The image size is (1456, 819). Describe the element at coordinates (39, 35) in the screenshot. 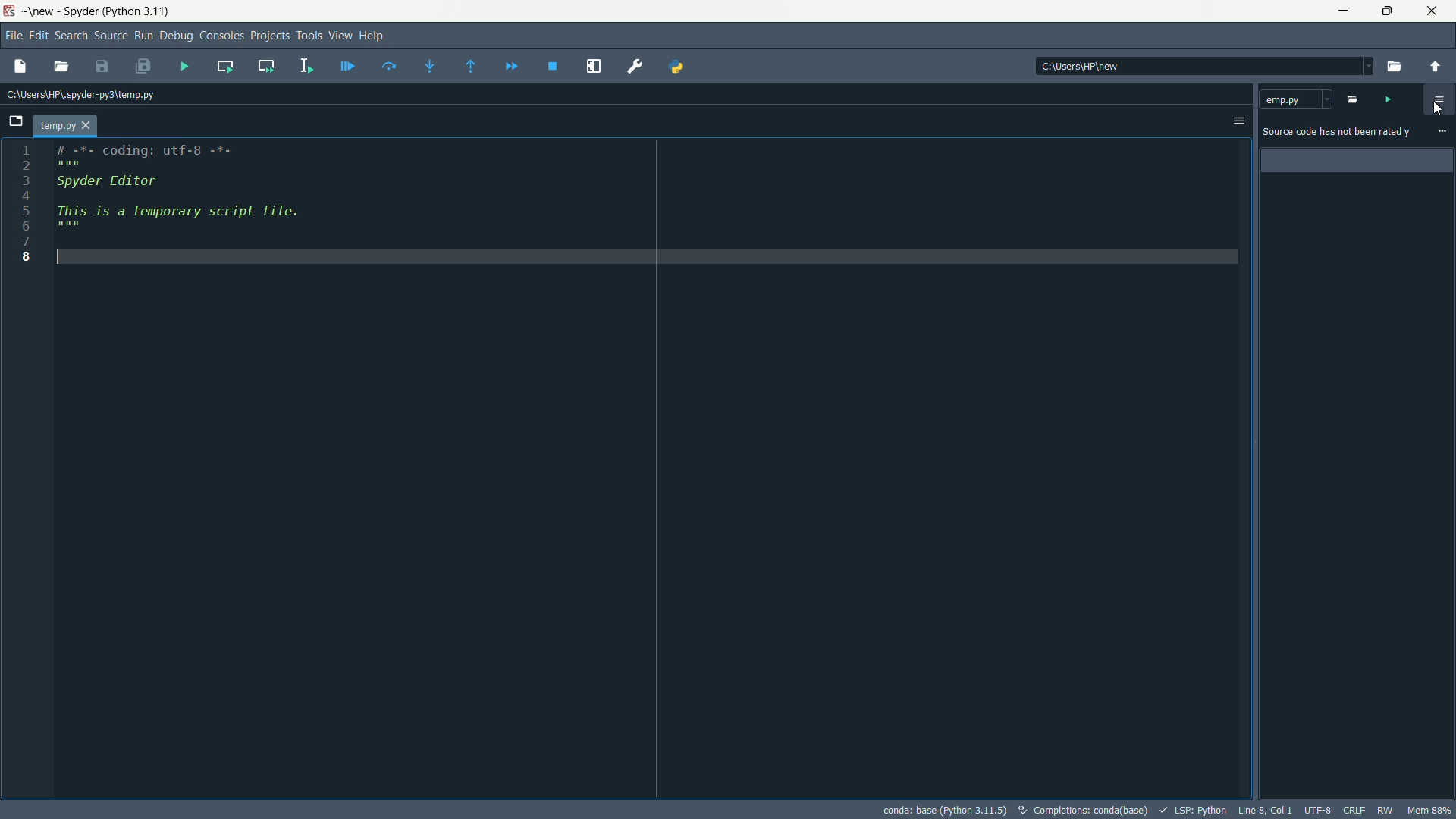

I see `edit menu` at that location.